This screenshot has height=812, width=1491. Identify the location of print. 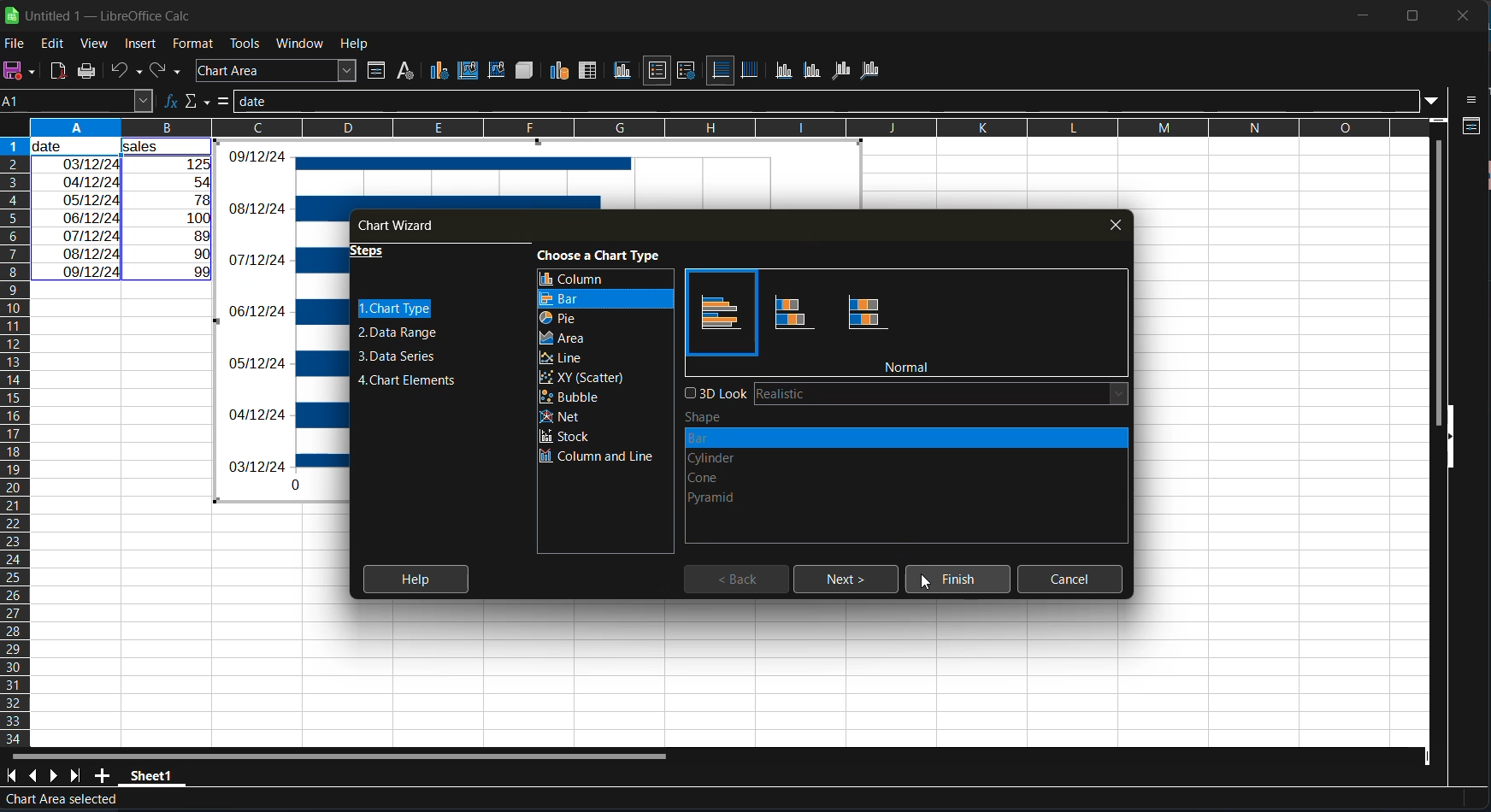
(93, 72).